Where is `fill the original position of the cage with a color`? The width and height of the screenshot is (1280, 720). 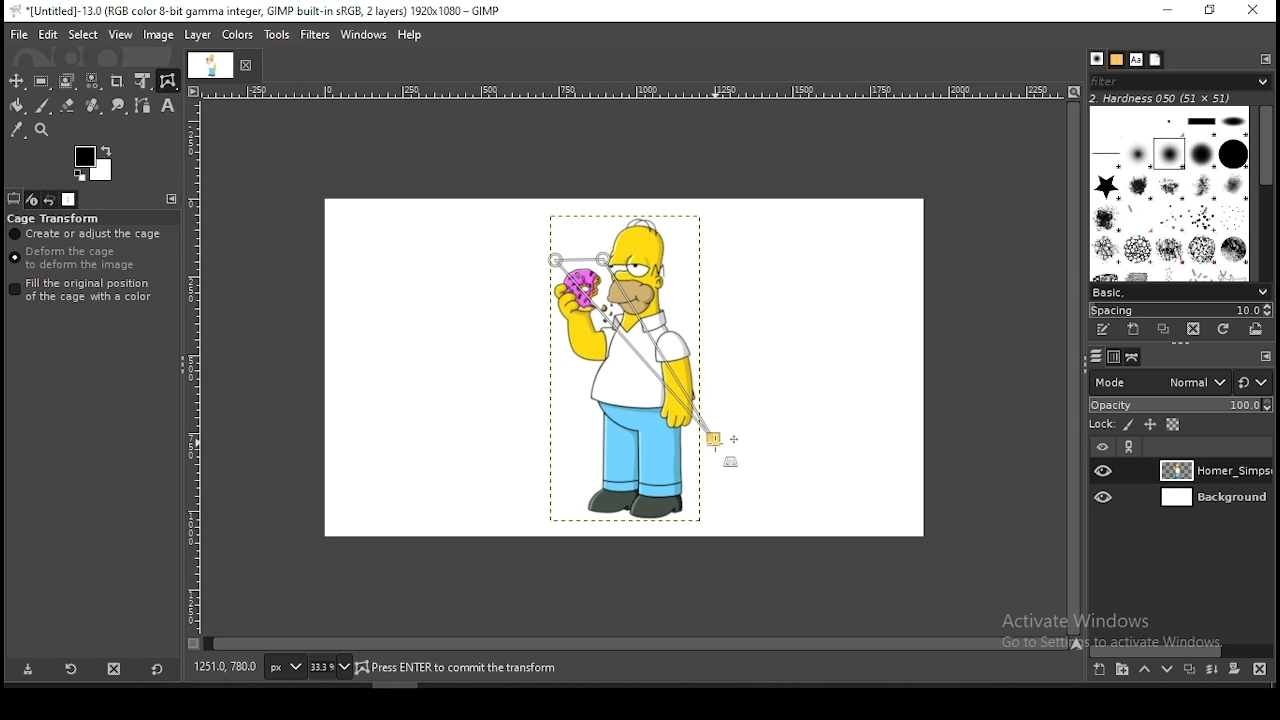
fill the original position of the cage with a color is located at coordinates (86, 290).